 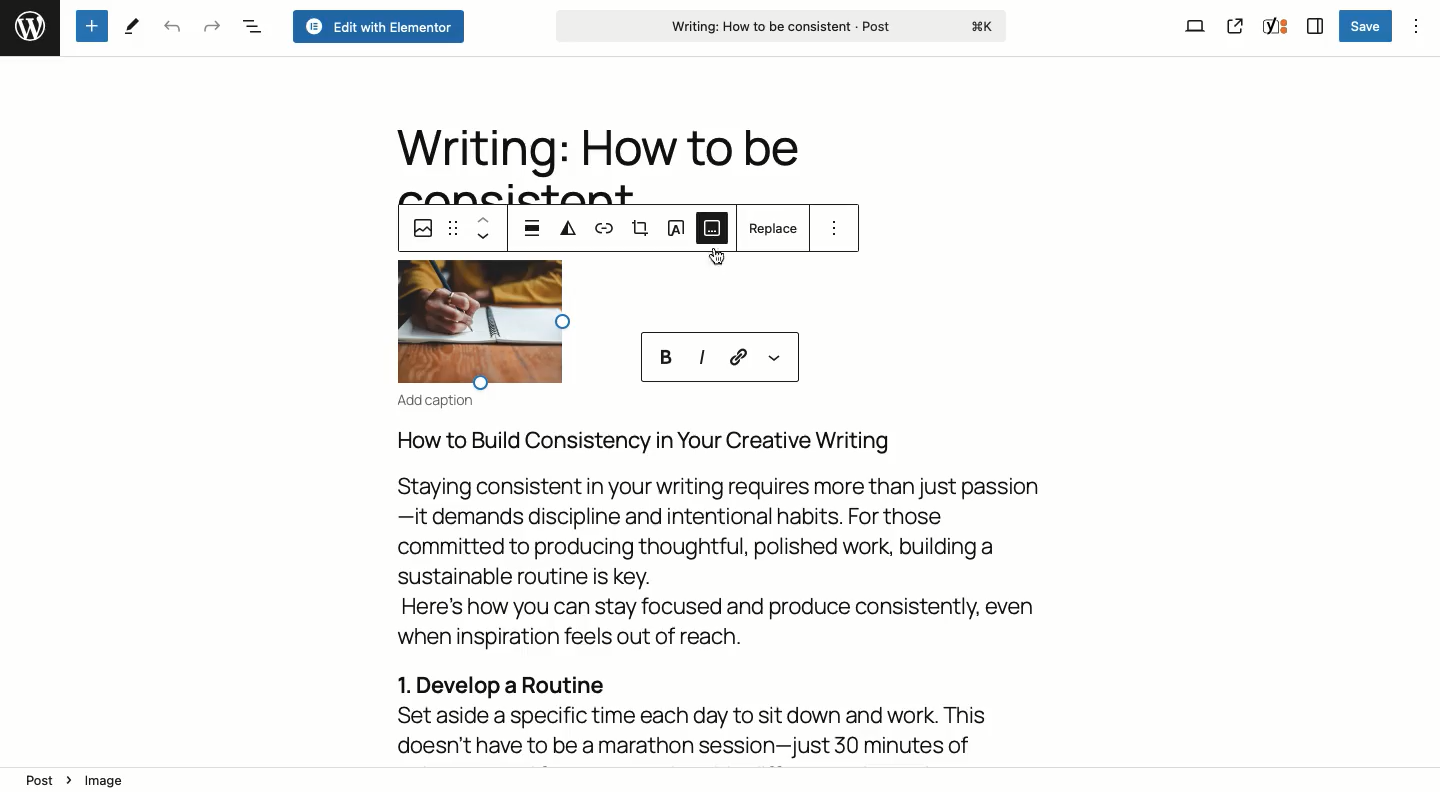 I want to click on Tools, so click(x=135, y=26).